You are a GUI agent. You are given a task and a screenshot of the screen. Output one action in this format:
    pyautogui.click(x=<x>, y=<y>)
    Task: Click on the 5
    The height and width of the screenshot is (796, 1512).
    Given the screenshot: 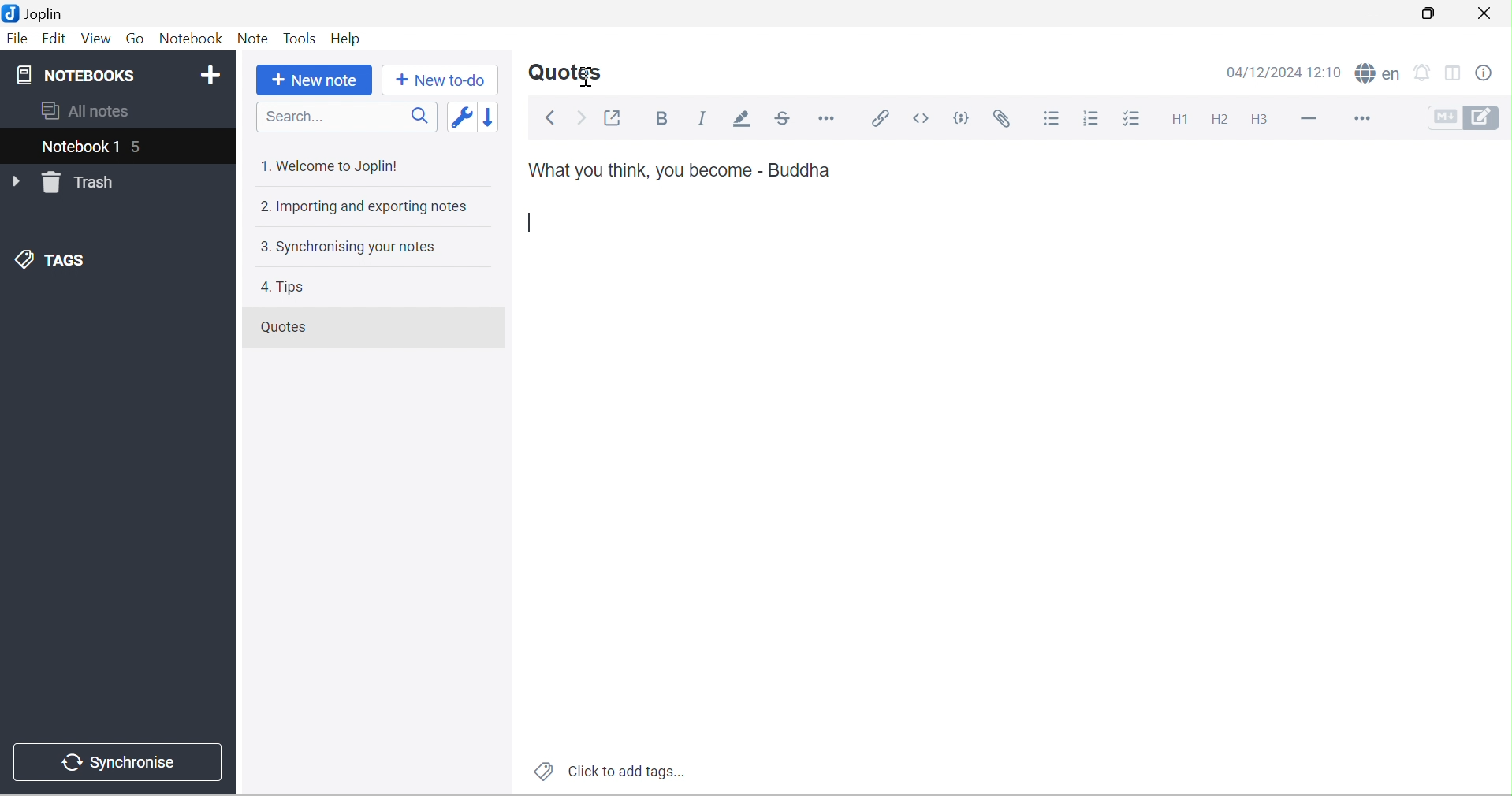 What is the action you would take?
    pyautogui.click(x=140, y=146)
    